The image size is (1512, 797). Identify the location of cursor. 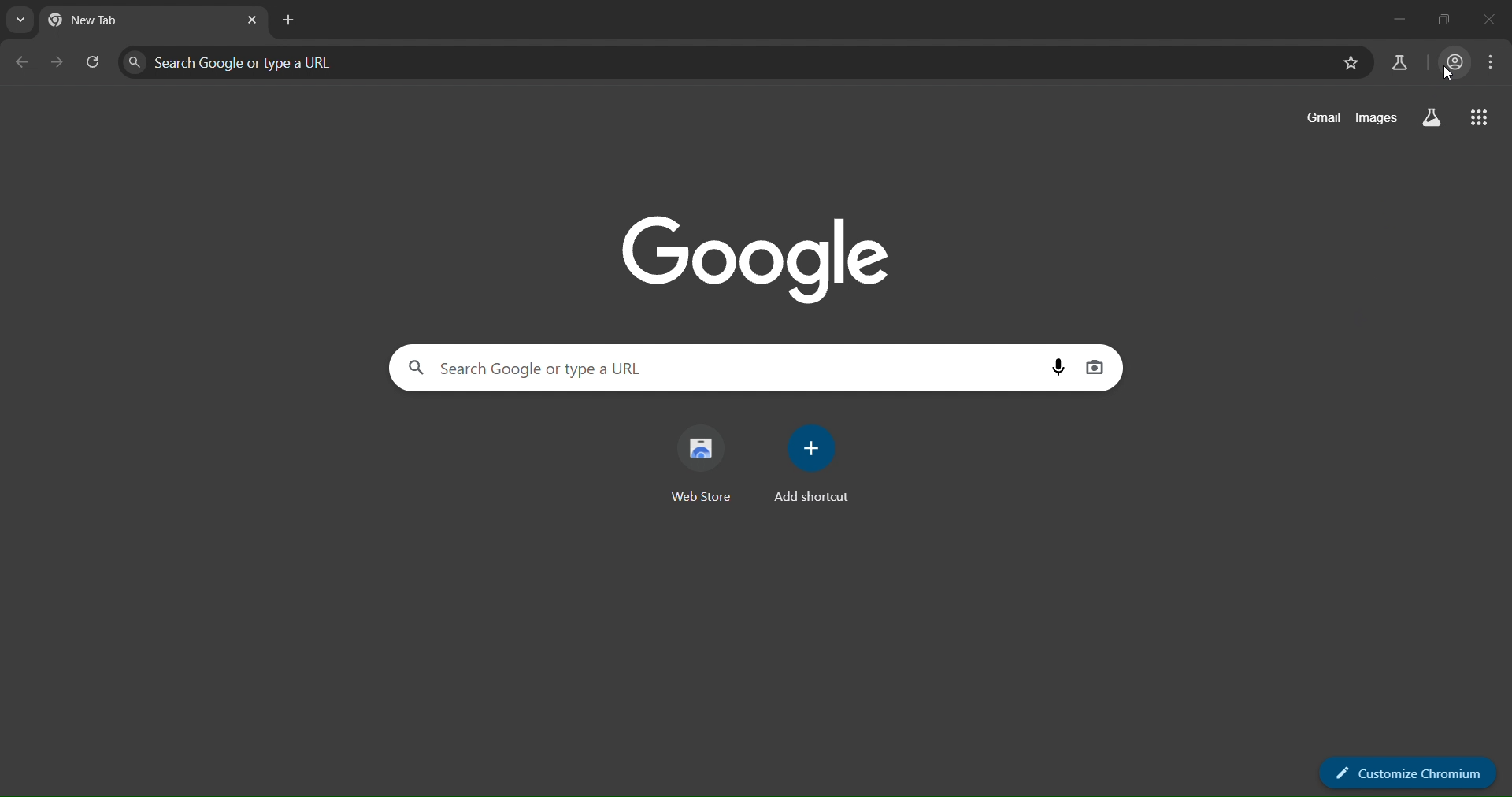
(1444, 79).